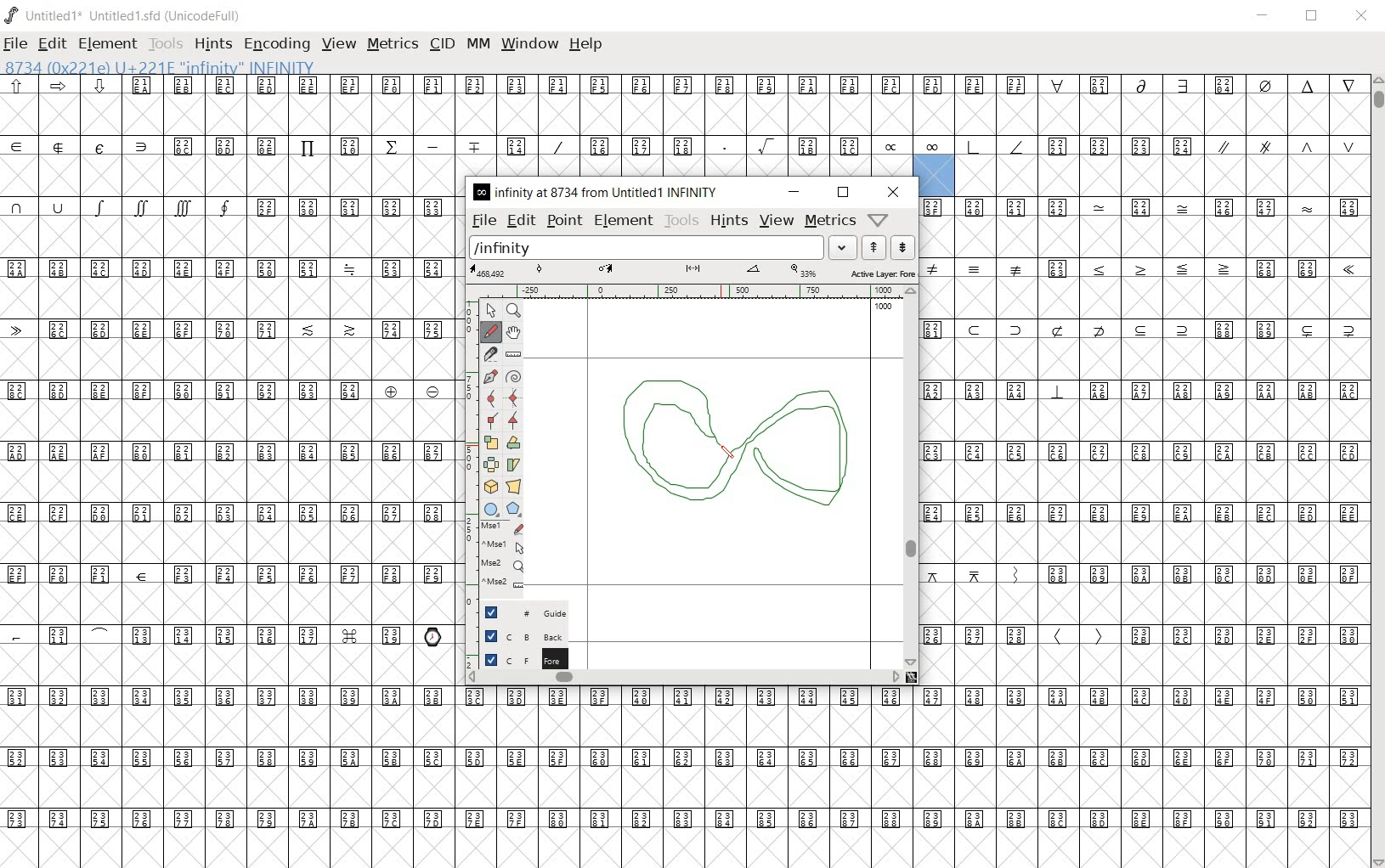  I want to click on Rotate the selection, so click(512, 442).